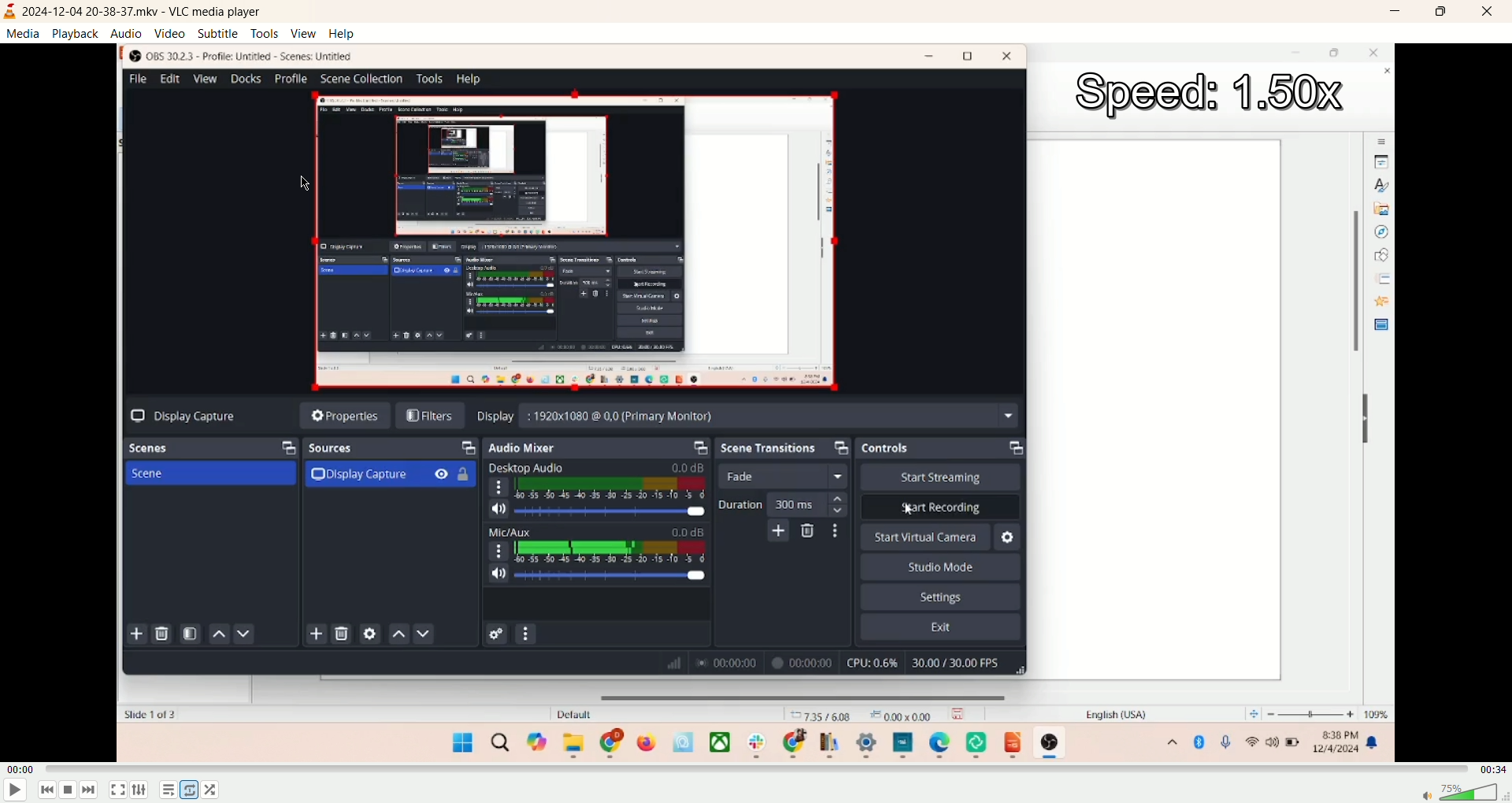 Image resolution: width=1512 pixels, height=803 pixels. Describe the element at coordinates (340, 35) in the screenshot. I see `help` at that location.